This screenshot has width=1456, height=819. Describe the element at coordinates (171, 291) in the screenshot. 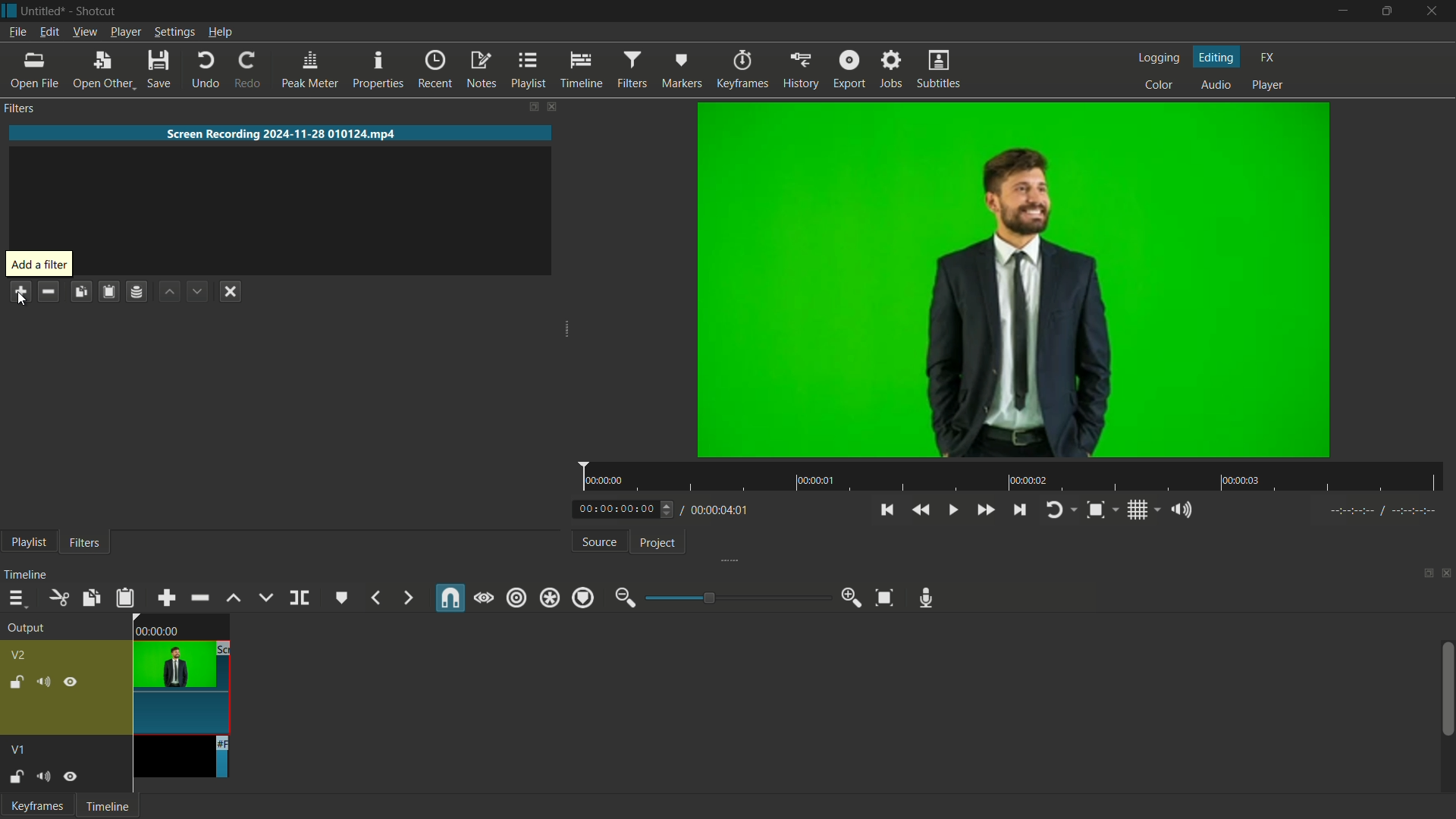

I see `move filter up` at that location.